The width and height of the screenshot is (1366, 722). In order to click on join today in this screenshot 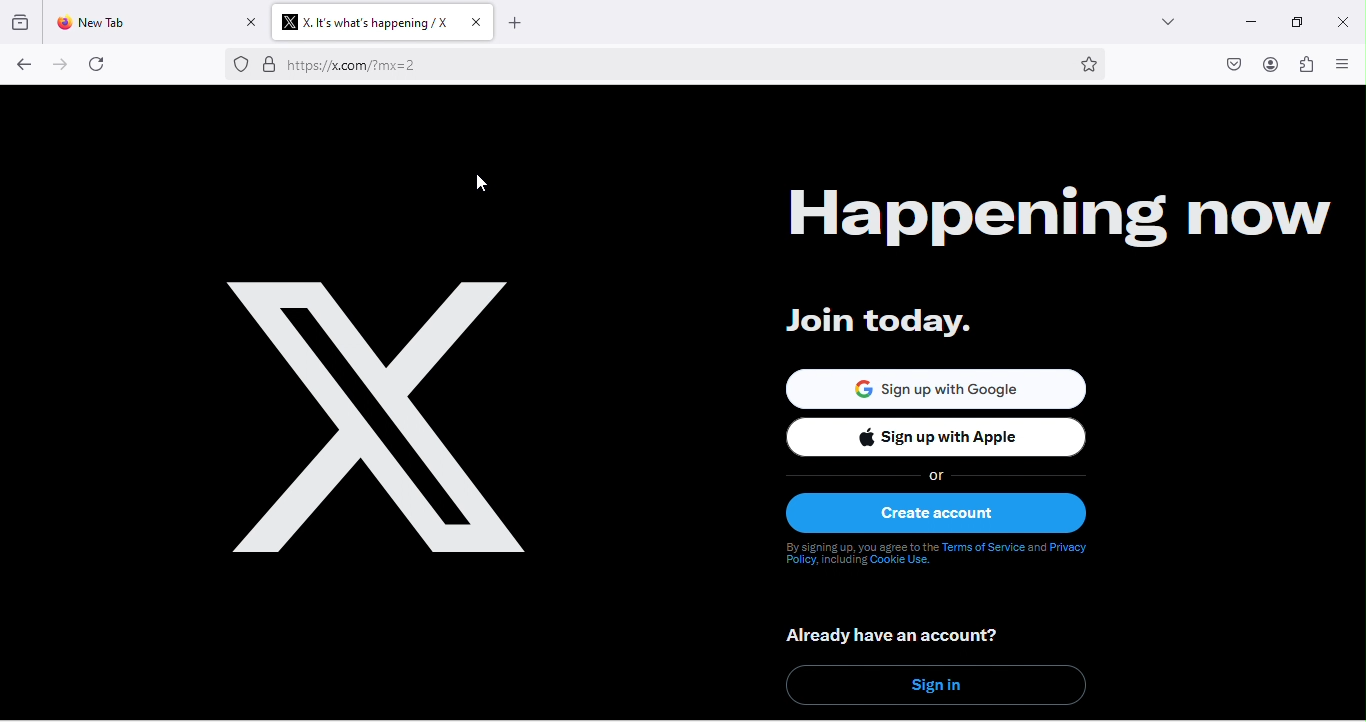, I will do `click(873, 322)`.